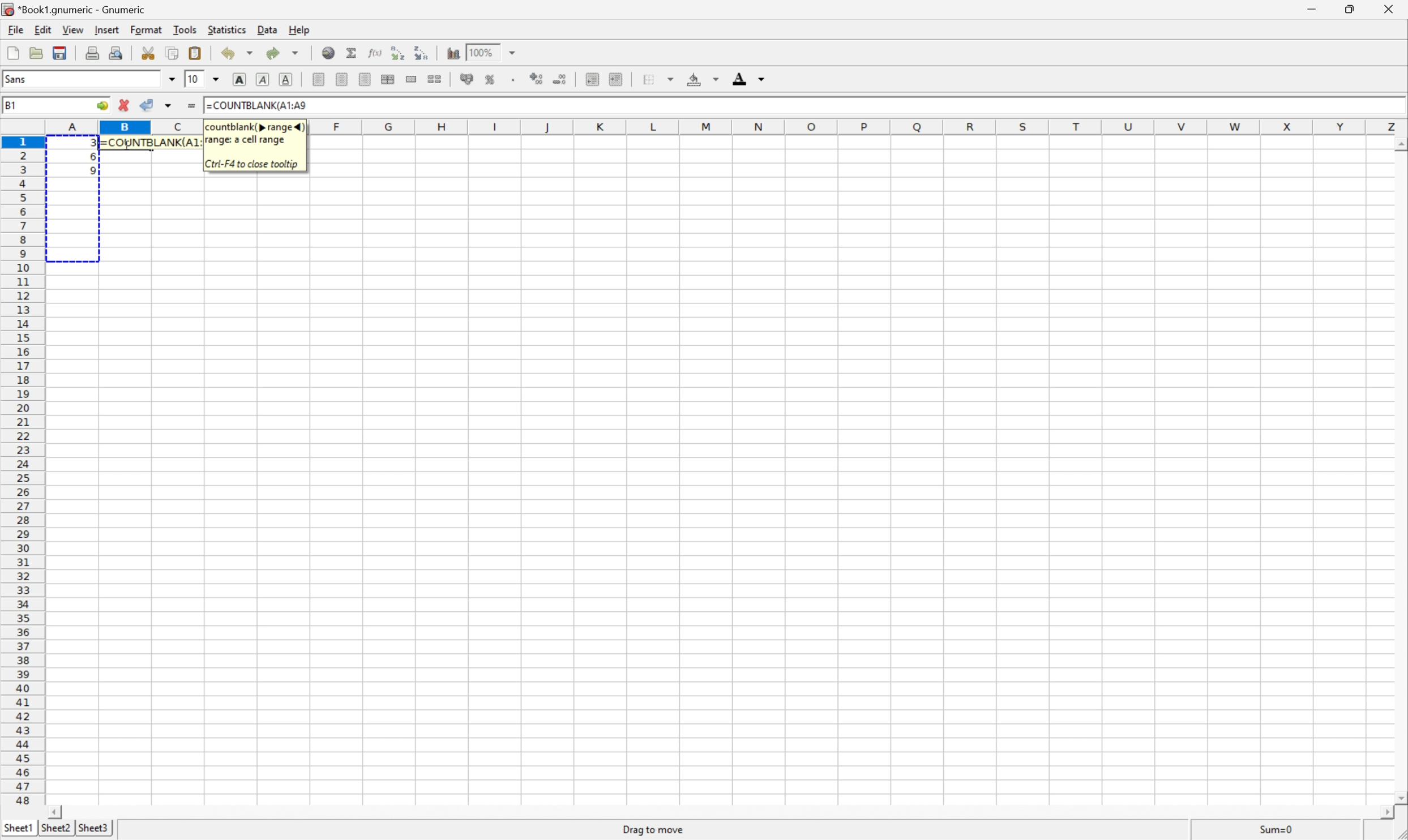 The image size is (1408, 840). What do you see at coordinates (262, 79) in the screenshot?
I see `Italic` at bounding box center [262, 79].